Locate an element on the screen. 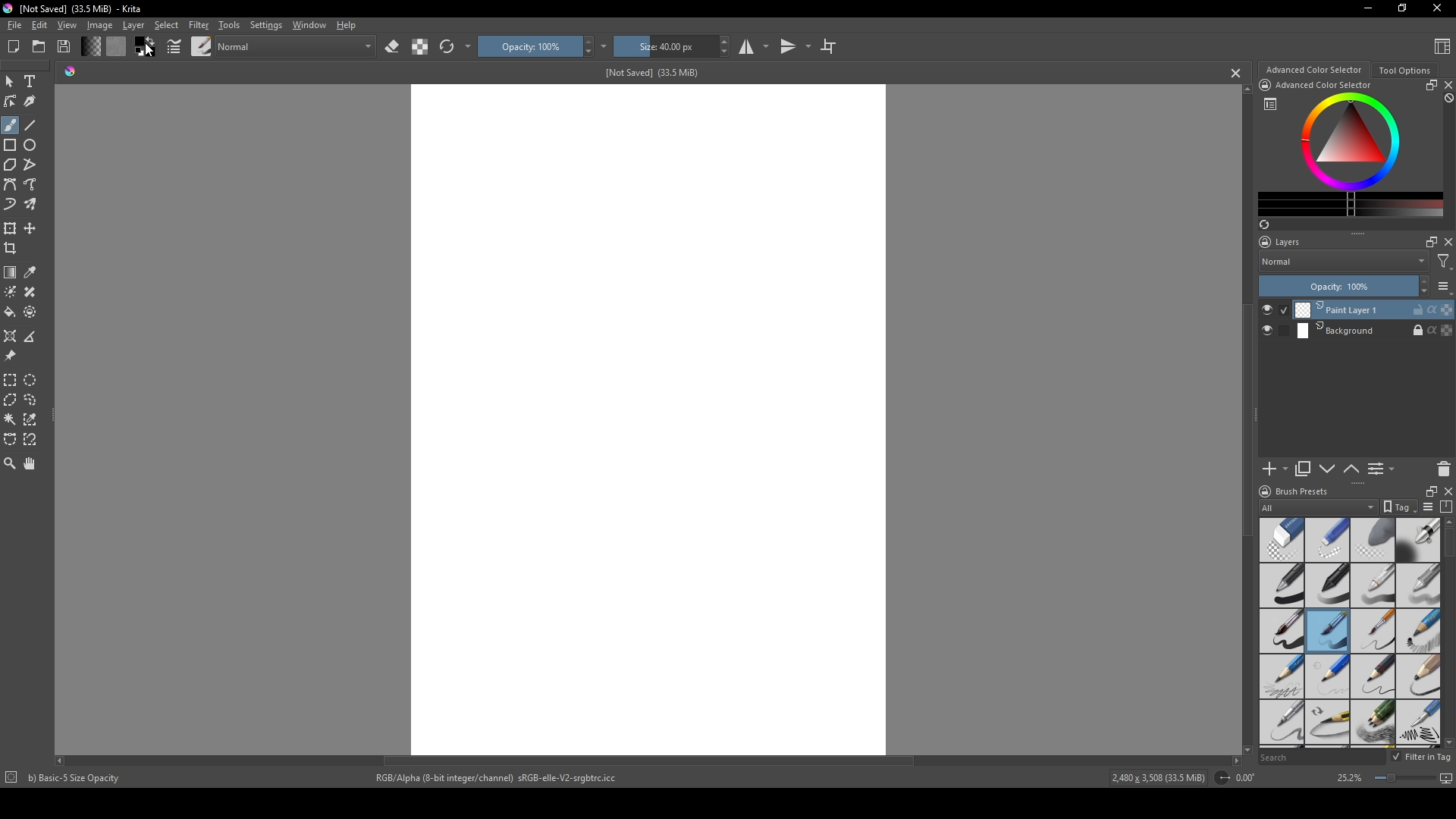  compress is located at coordinates (1447, 507).